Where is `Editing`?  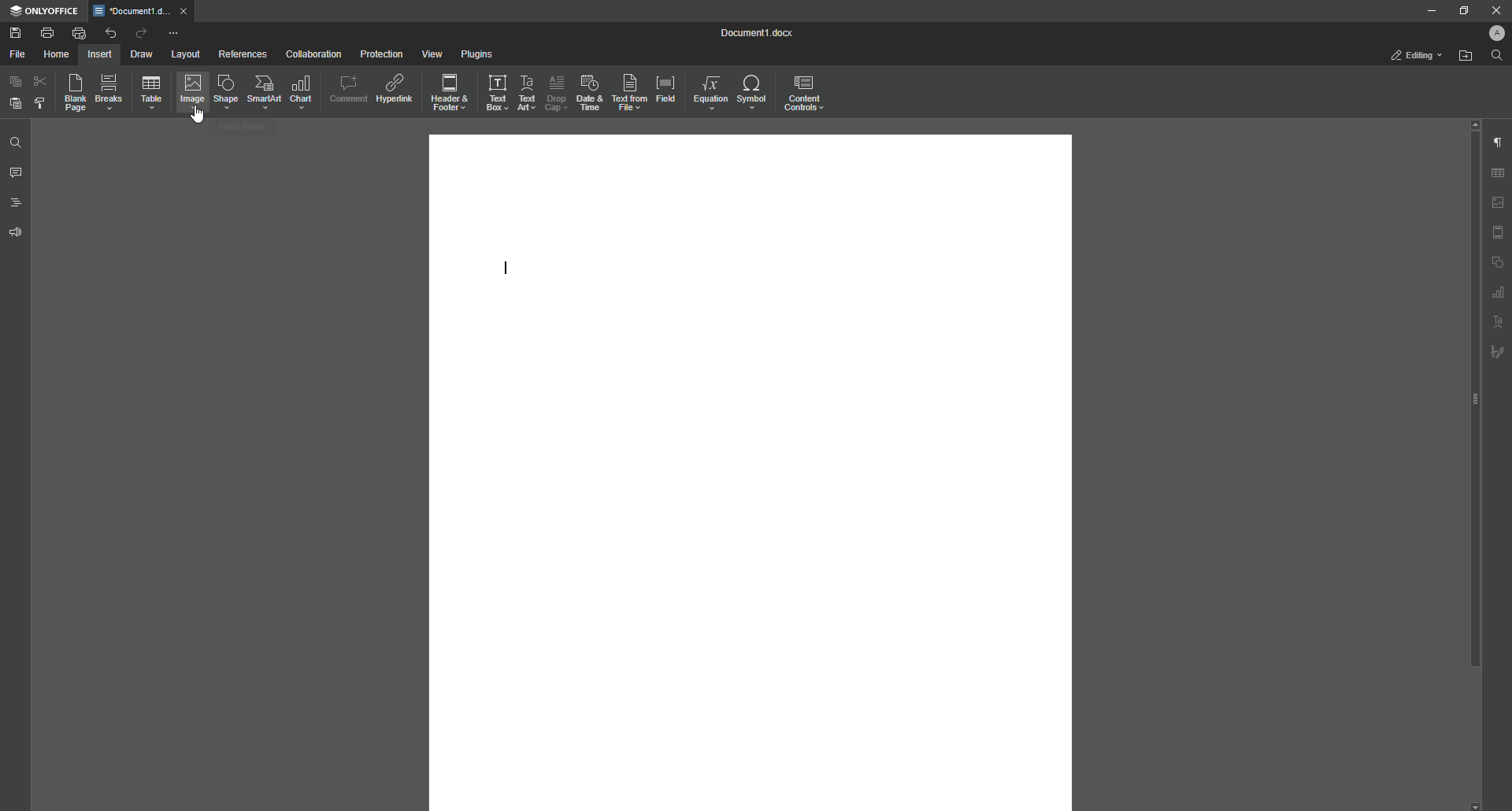 Editing is located at coordinates (1414, 54).